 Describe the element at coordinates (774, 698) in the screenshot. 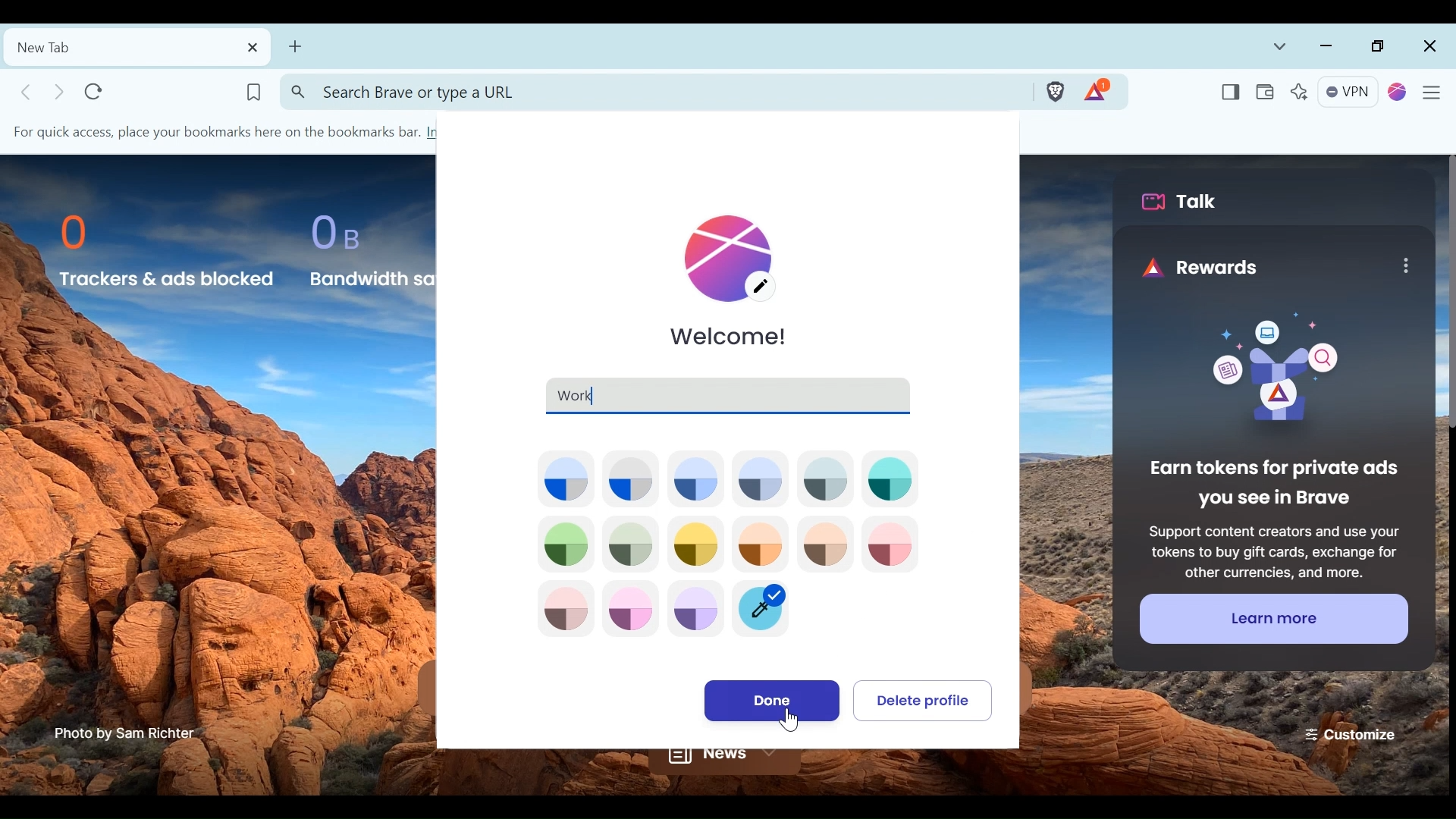

I see `Done` at that location.